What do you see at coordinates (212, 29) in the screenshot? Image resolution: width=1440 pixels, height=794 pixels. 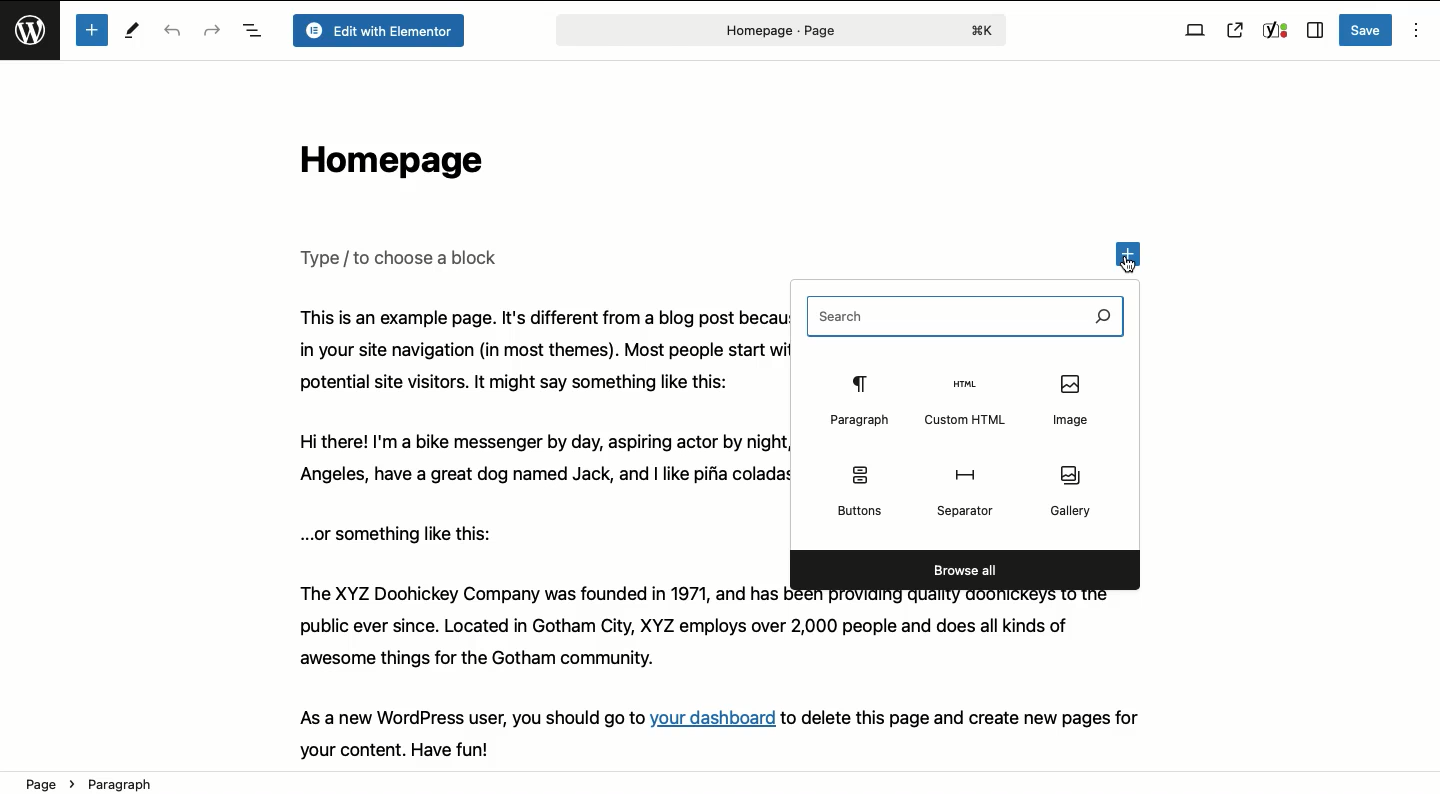 I see `Redo` at bounding box center [212, 29].